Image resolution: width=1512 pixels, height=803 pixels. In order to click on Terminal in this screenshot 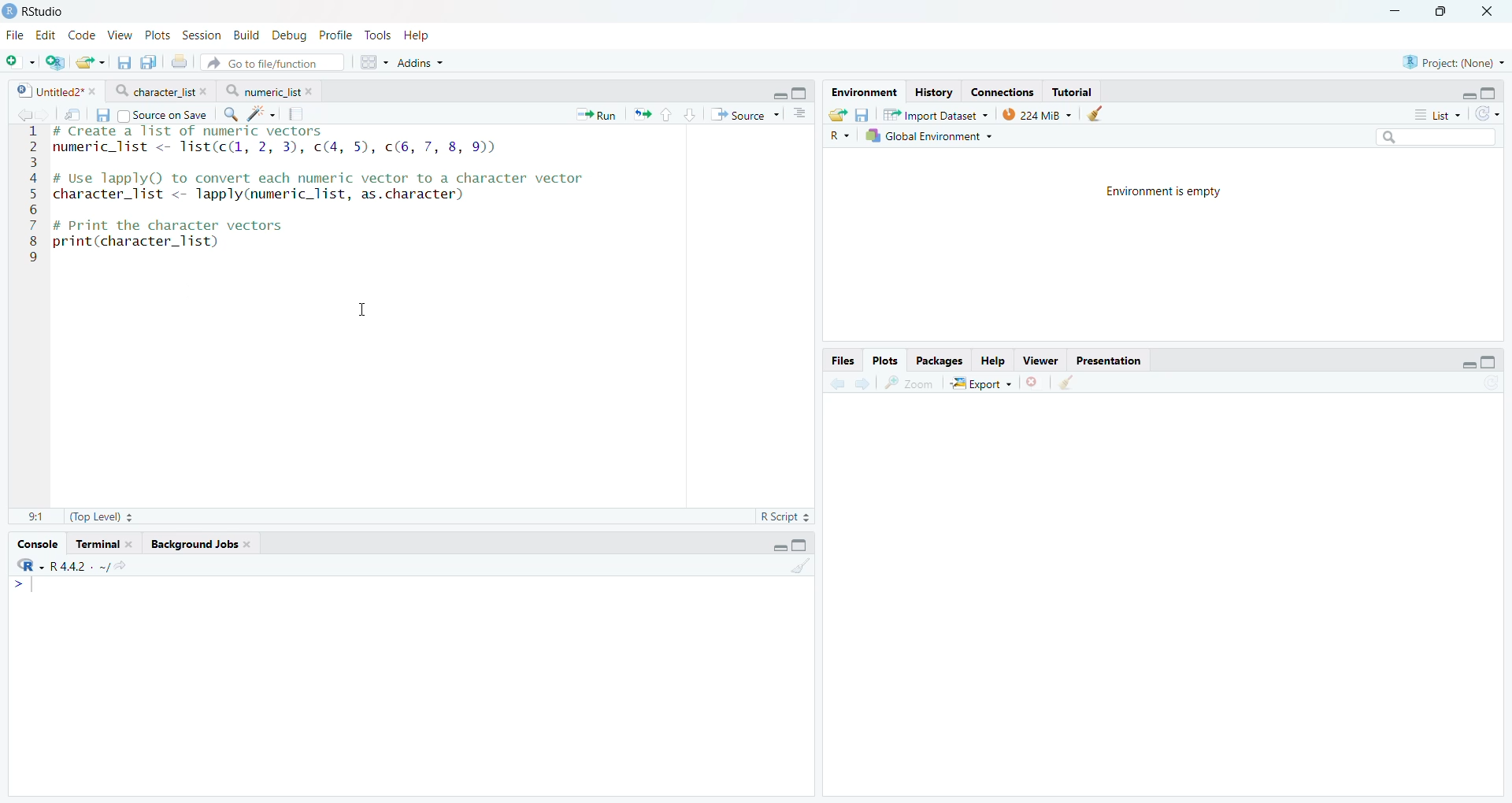, I will do `click(103, 545)`.